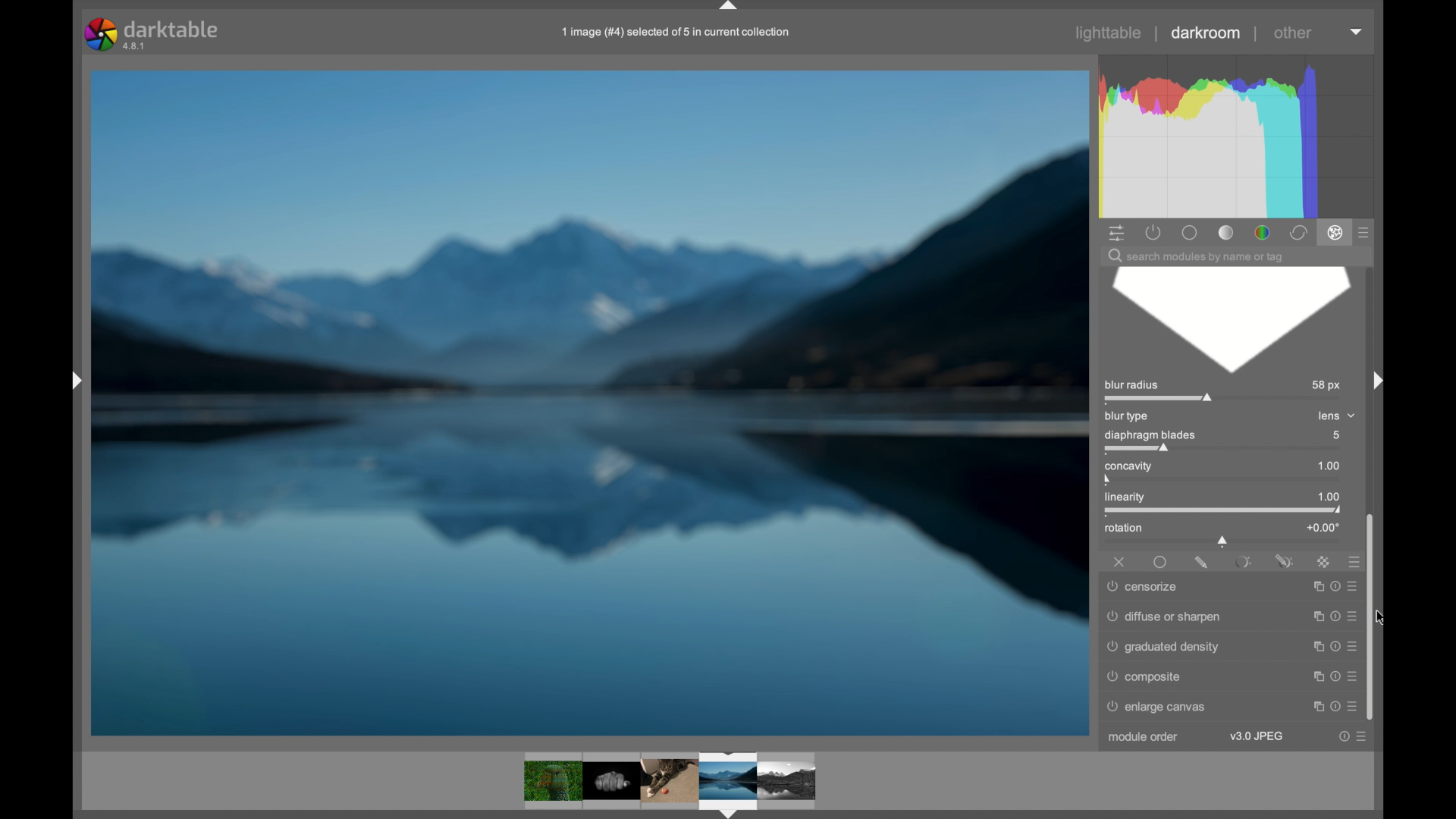 This screenshot has height=819, width=1456. I want to click on drag handle, so click(1374, 379).